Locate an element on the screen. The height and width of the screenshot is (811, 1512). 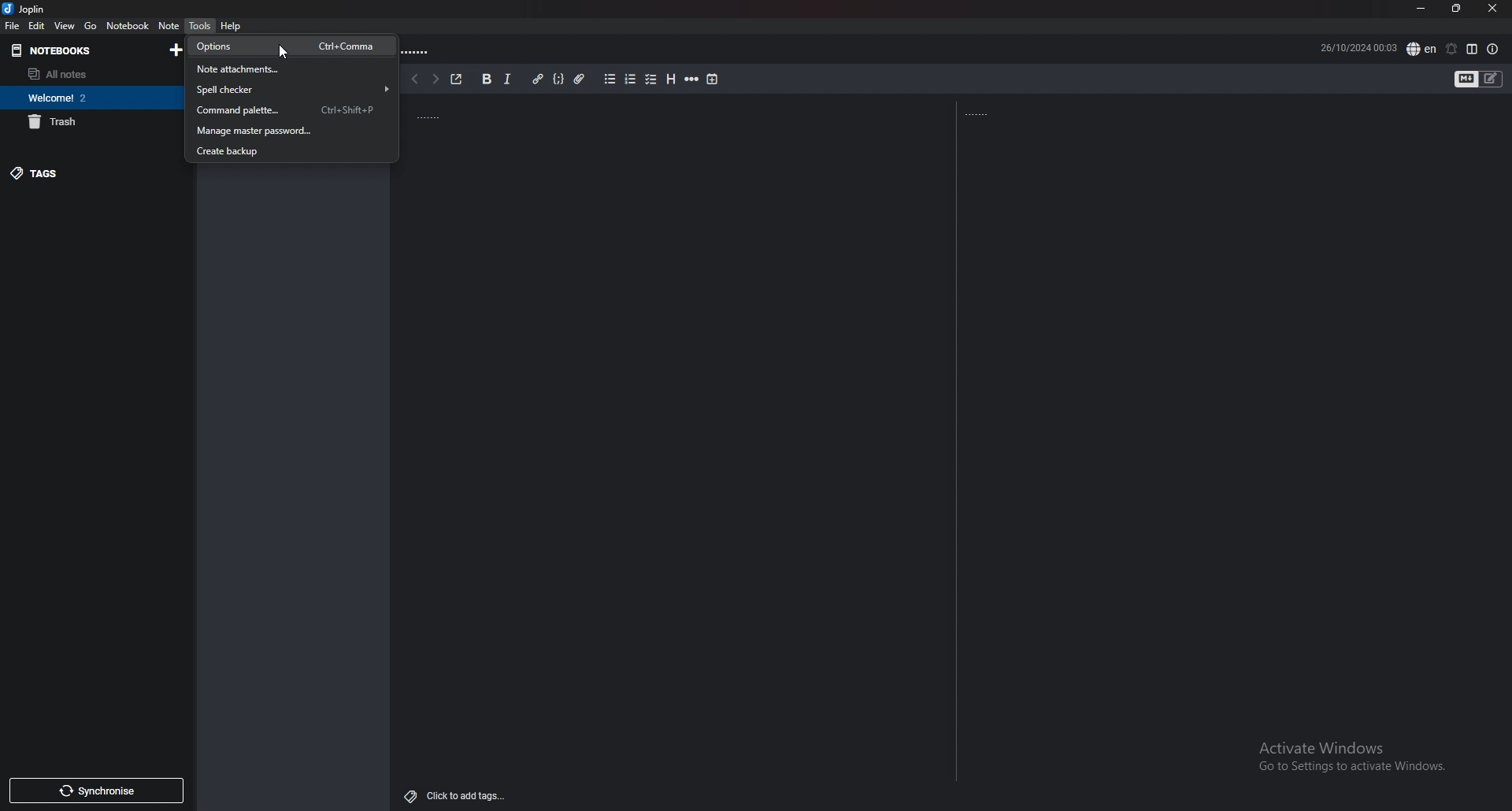
add tags is located at coordinates (458, 795).